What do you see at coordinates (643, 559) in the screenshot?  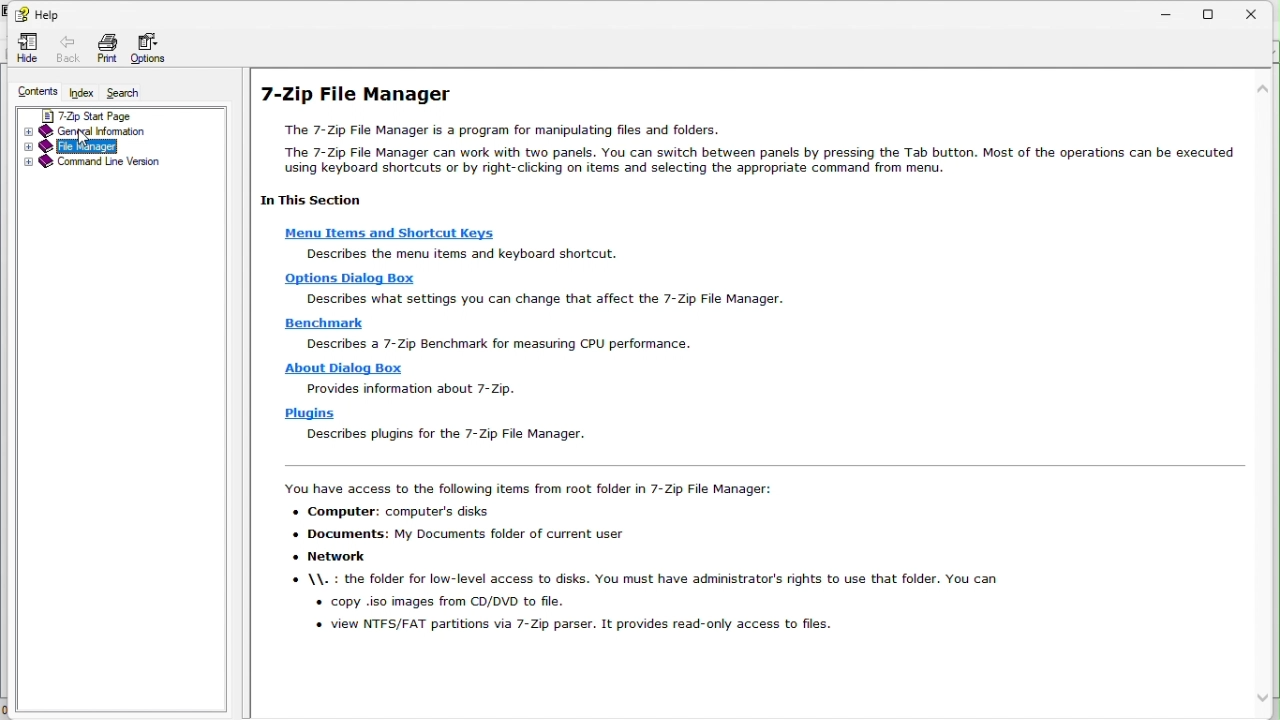 I see `You have access to the following items from root folder in 7-Zip File Manager:
«+ Computer: computer's disks
+ Documents: My Documents folder of current user
« Network
© \\. : the folder for low-level access to disks. You must have administrator's rights to use that folder. You can
+ copy .iso images from CD/DVD to file.
«view NTFS/FAT partitions via 7-Zip parser. It provides read-only access to files.` at bounding box center [643, 559].